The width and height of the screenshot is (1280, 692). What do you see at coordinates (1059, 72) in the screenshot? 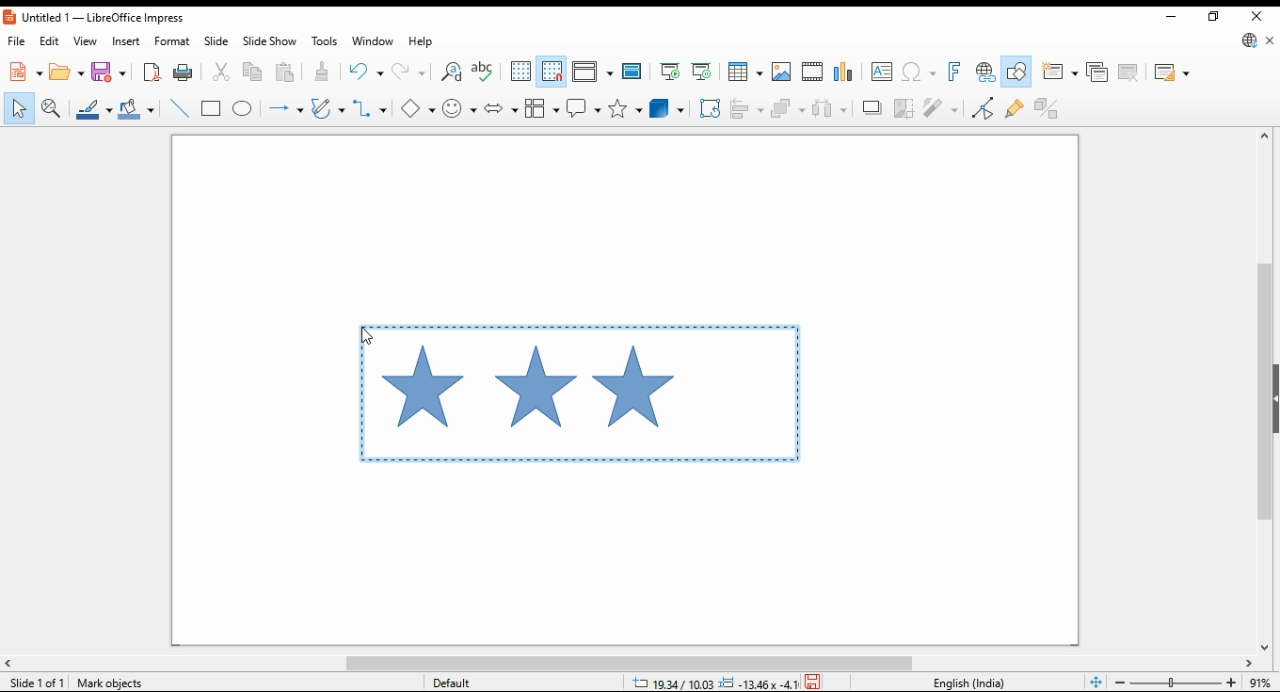
I see `new slide` at bounding box center [1059, 72].